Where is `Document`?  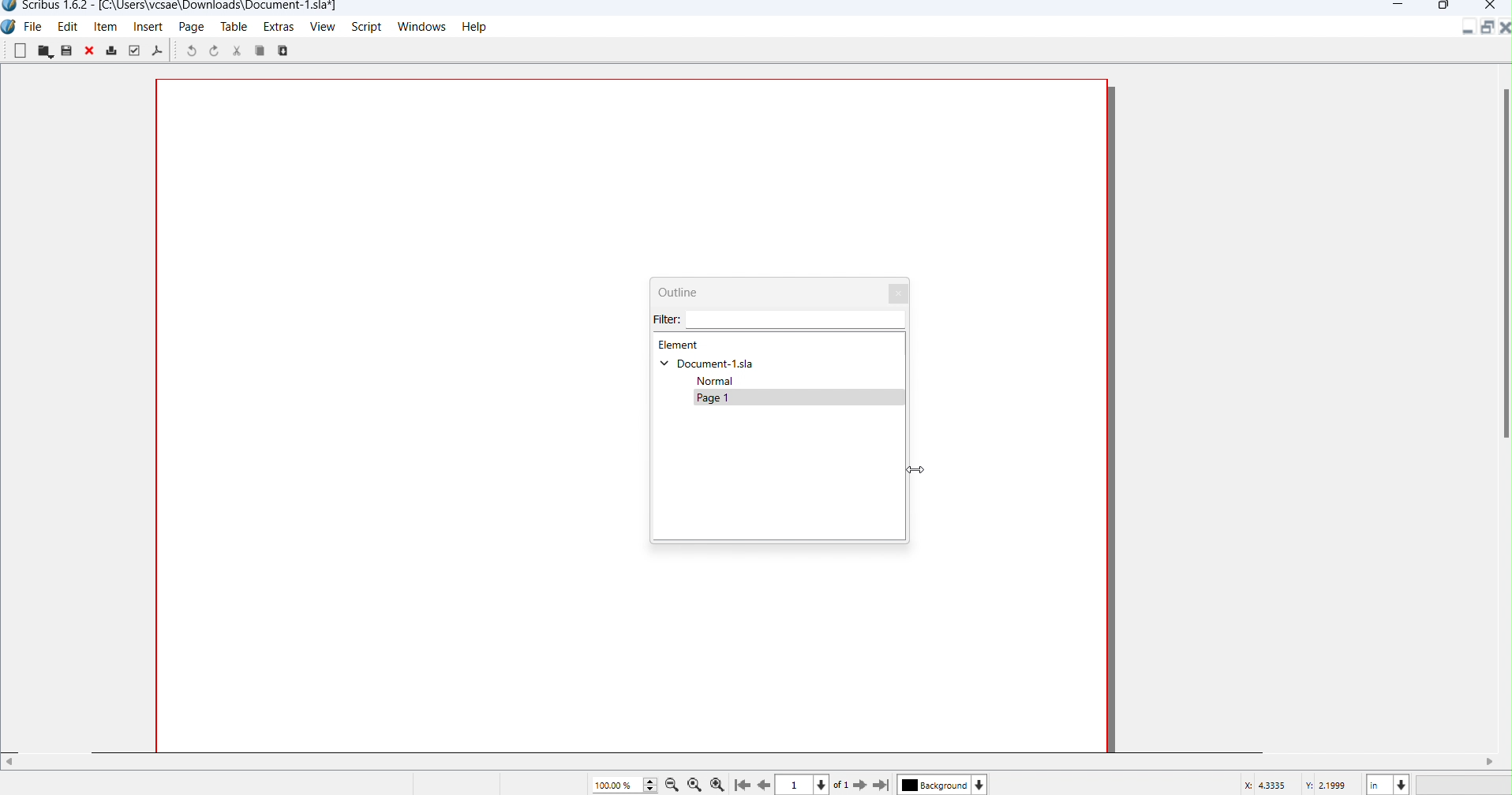
Document is located at coordinates (711, 364).